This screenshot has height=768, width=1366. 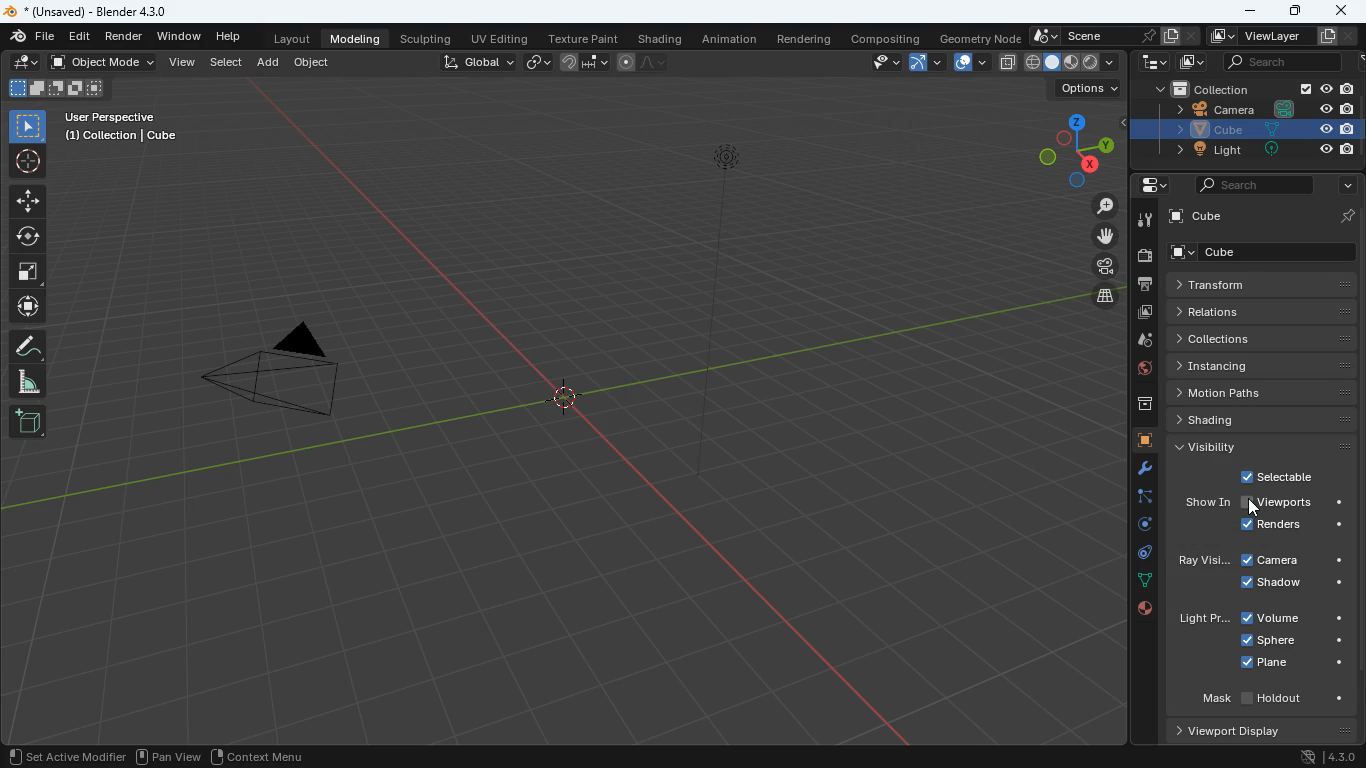 I want to click on search, so click(x=1280, y=63).